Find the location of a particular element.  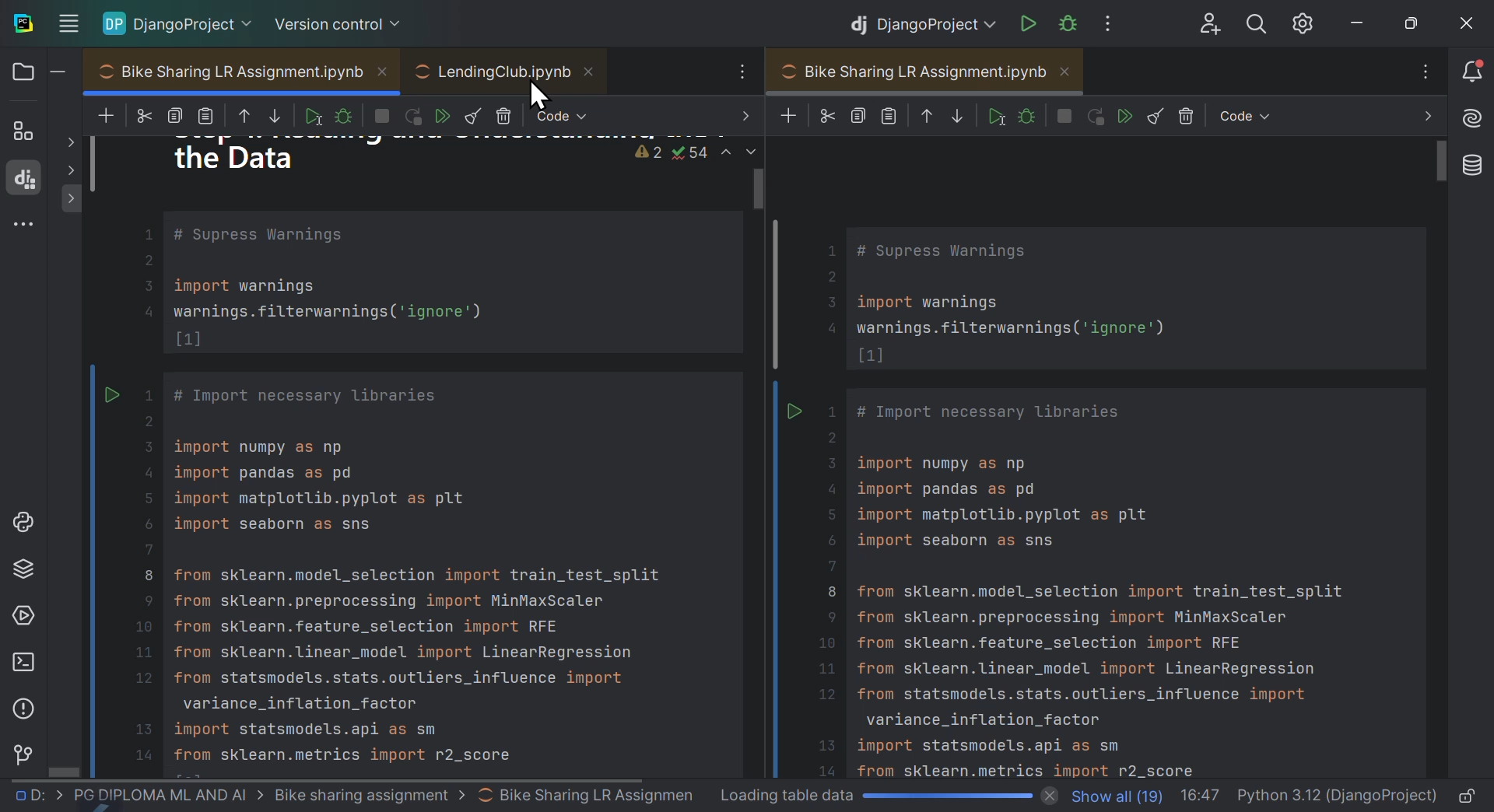

warnings and issues is located at coordinates (686, 153).